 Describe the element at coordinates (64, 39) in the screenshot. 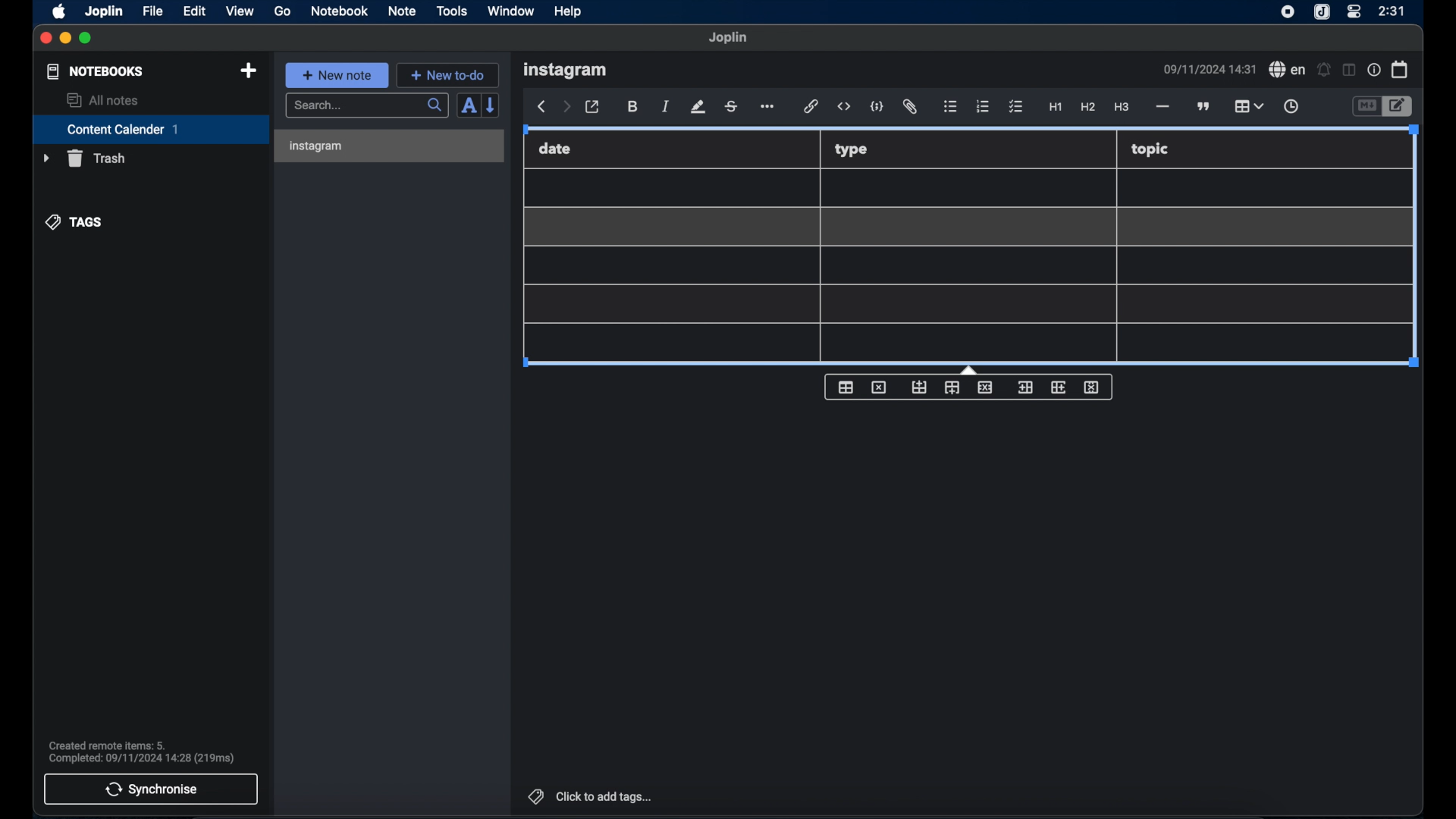

I see `minimize` at that location.